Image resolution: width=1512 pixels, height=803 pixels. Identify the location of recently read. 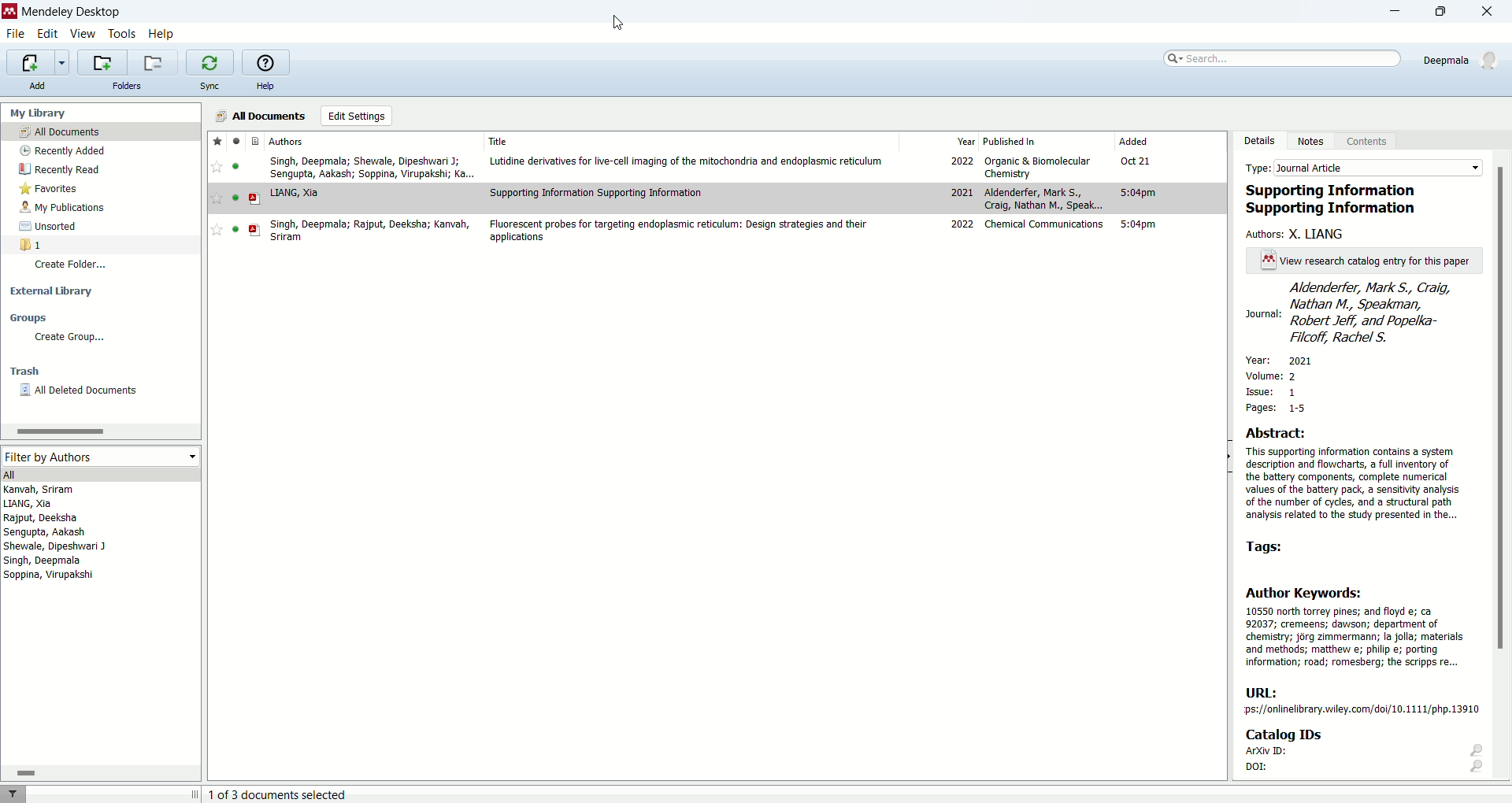
(57, 171).